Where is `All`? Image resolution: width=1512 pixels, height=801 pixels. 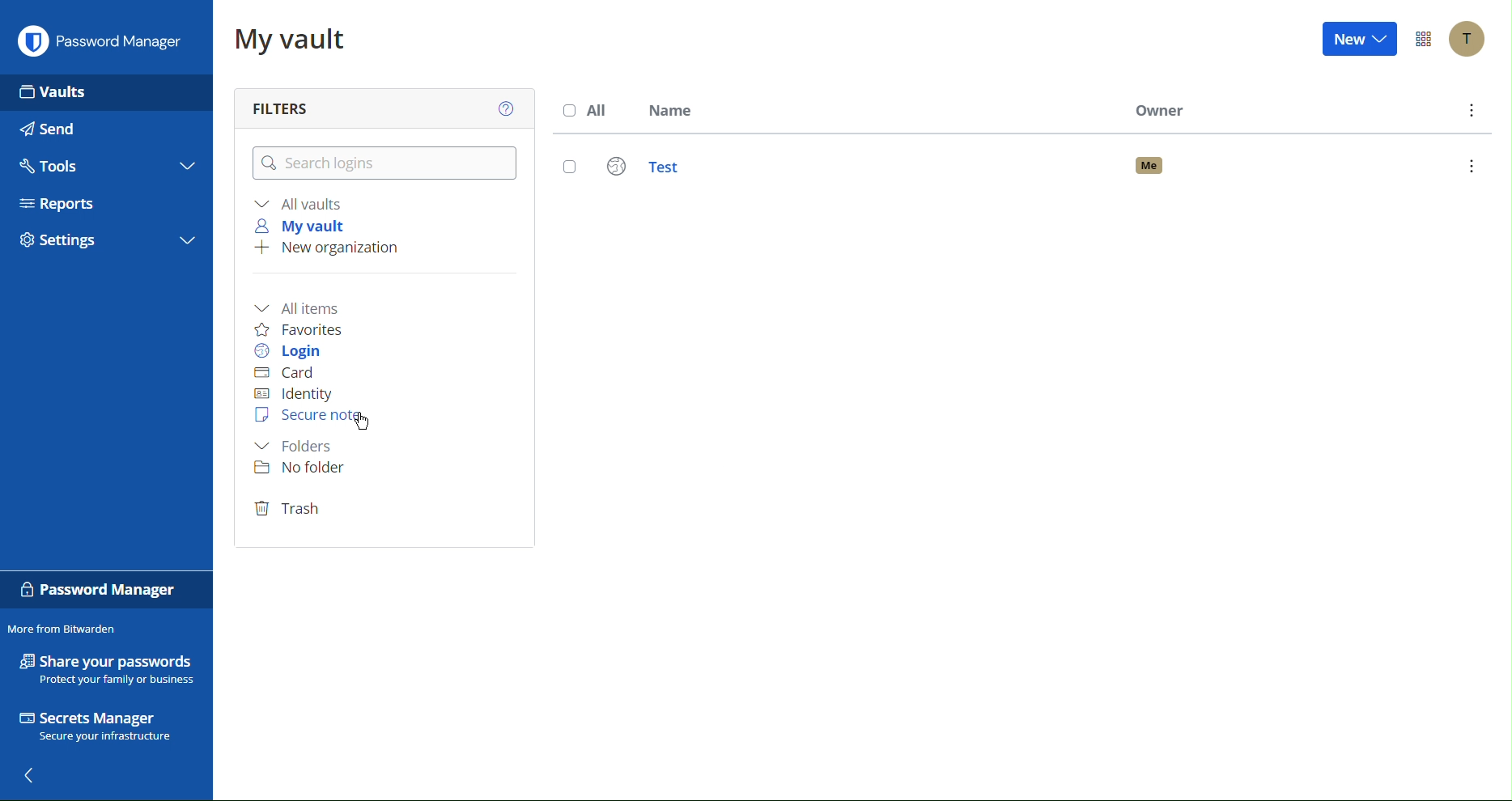 All is located at coordinates (579, 114).